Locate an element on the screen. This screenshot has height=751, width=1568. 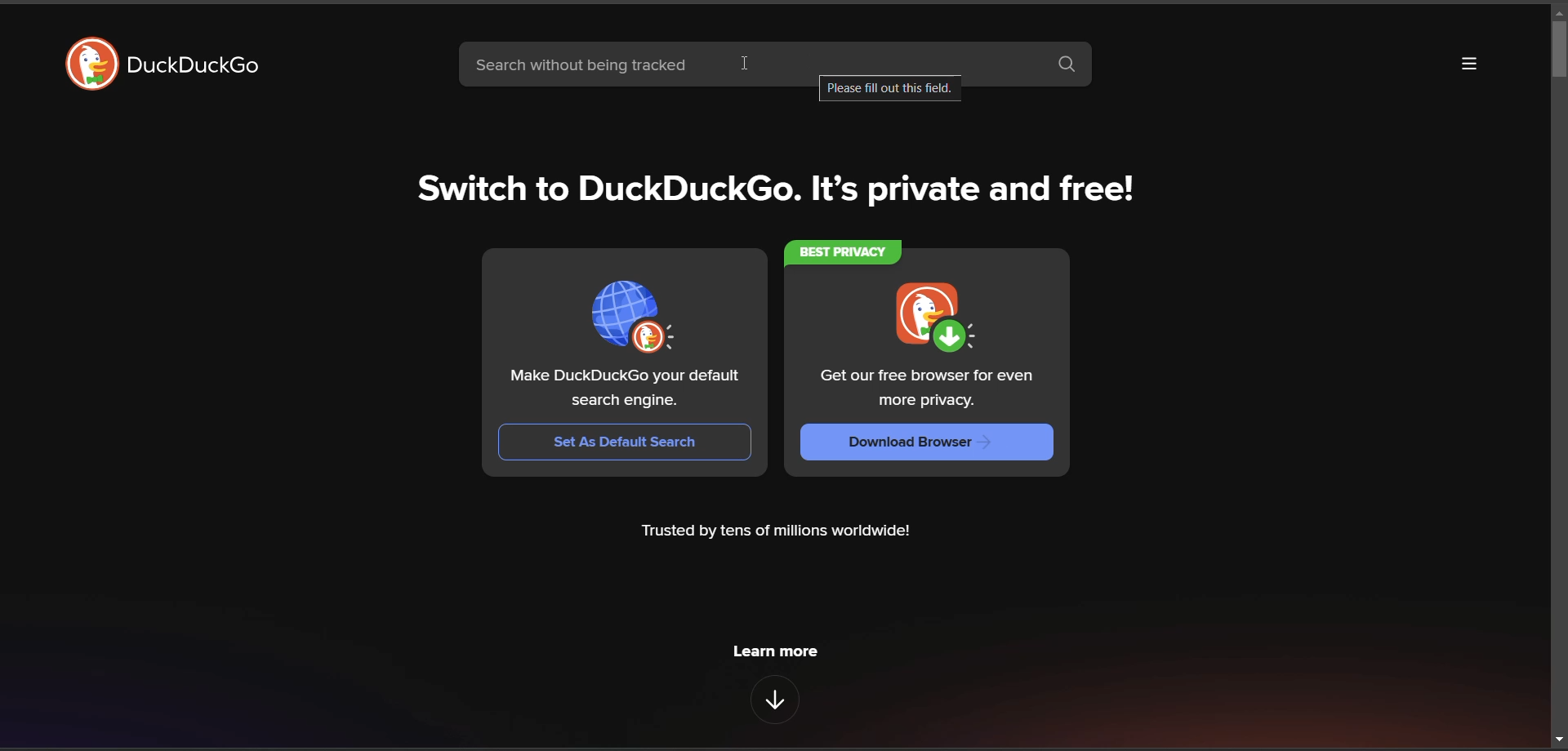
Set As Default Search is located at coordinates (626, 441).